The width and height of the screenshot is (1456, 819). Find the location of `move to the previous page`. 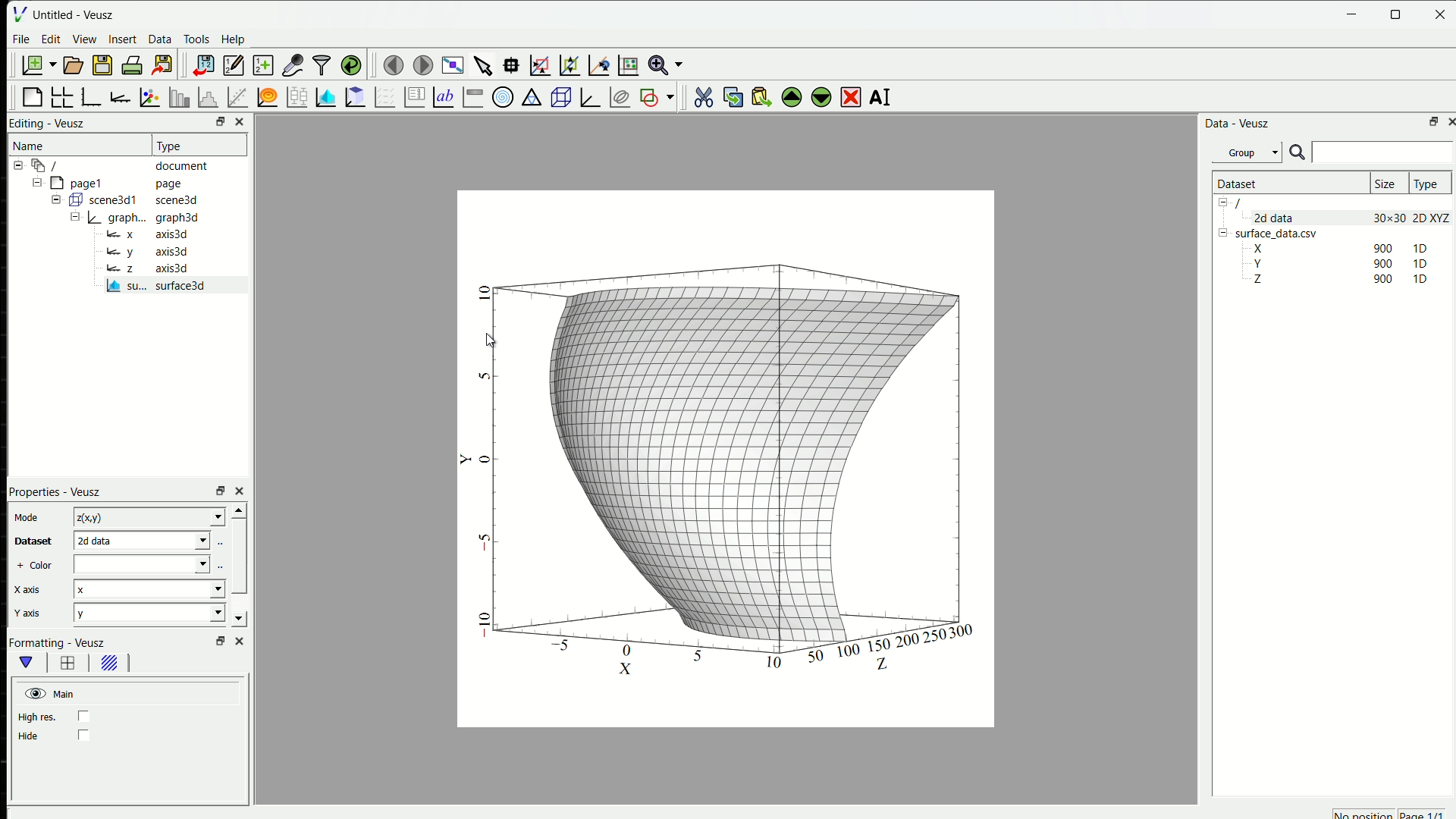

move to the previous page is located at coordinates (394, 64).